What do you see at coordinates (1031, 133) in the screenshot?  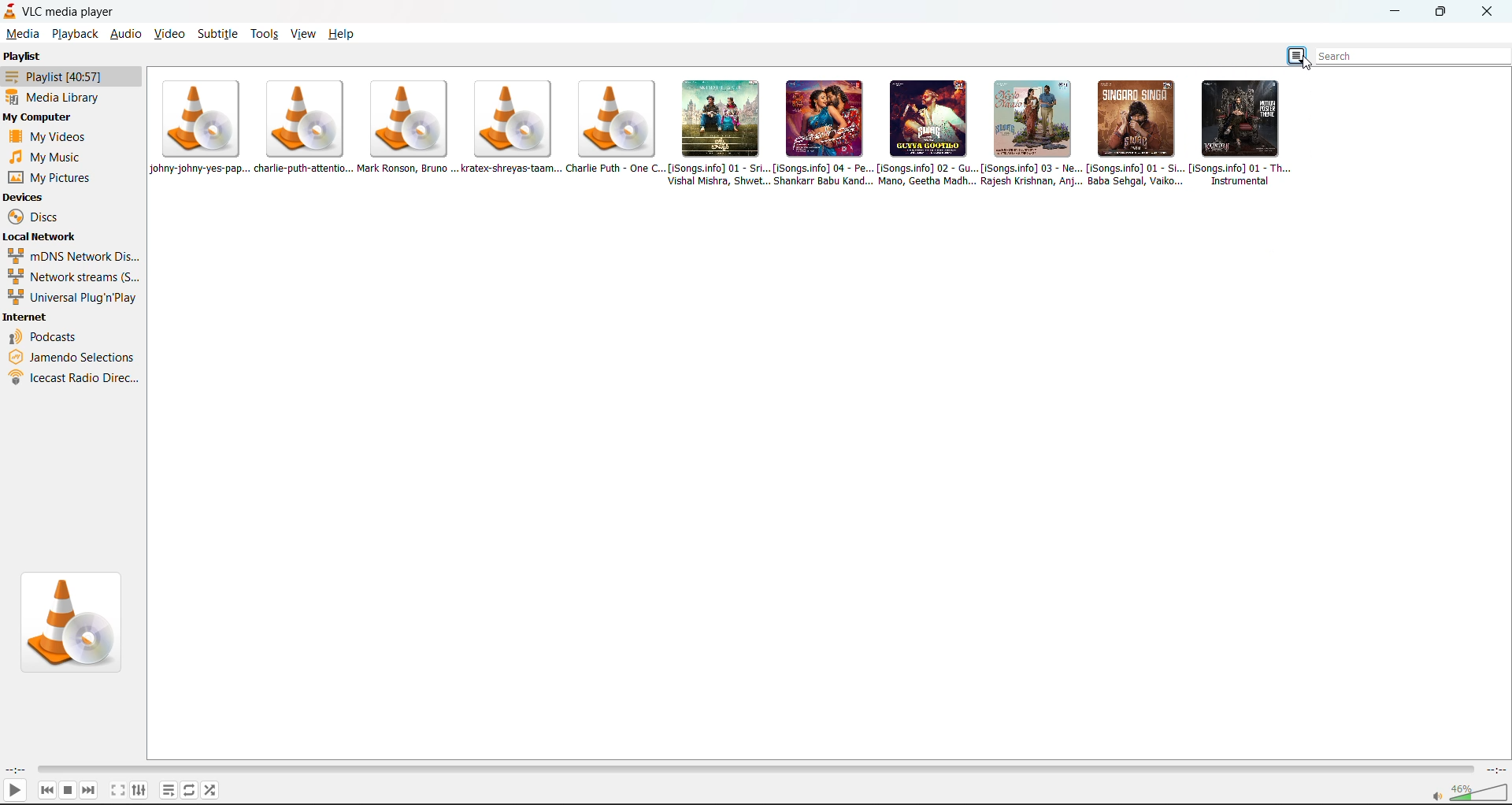 I see `track title and preview` at bounding box center [1031, 133].